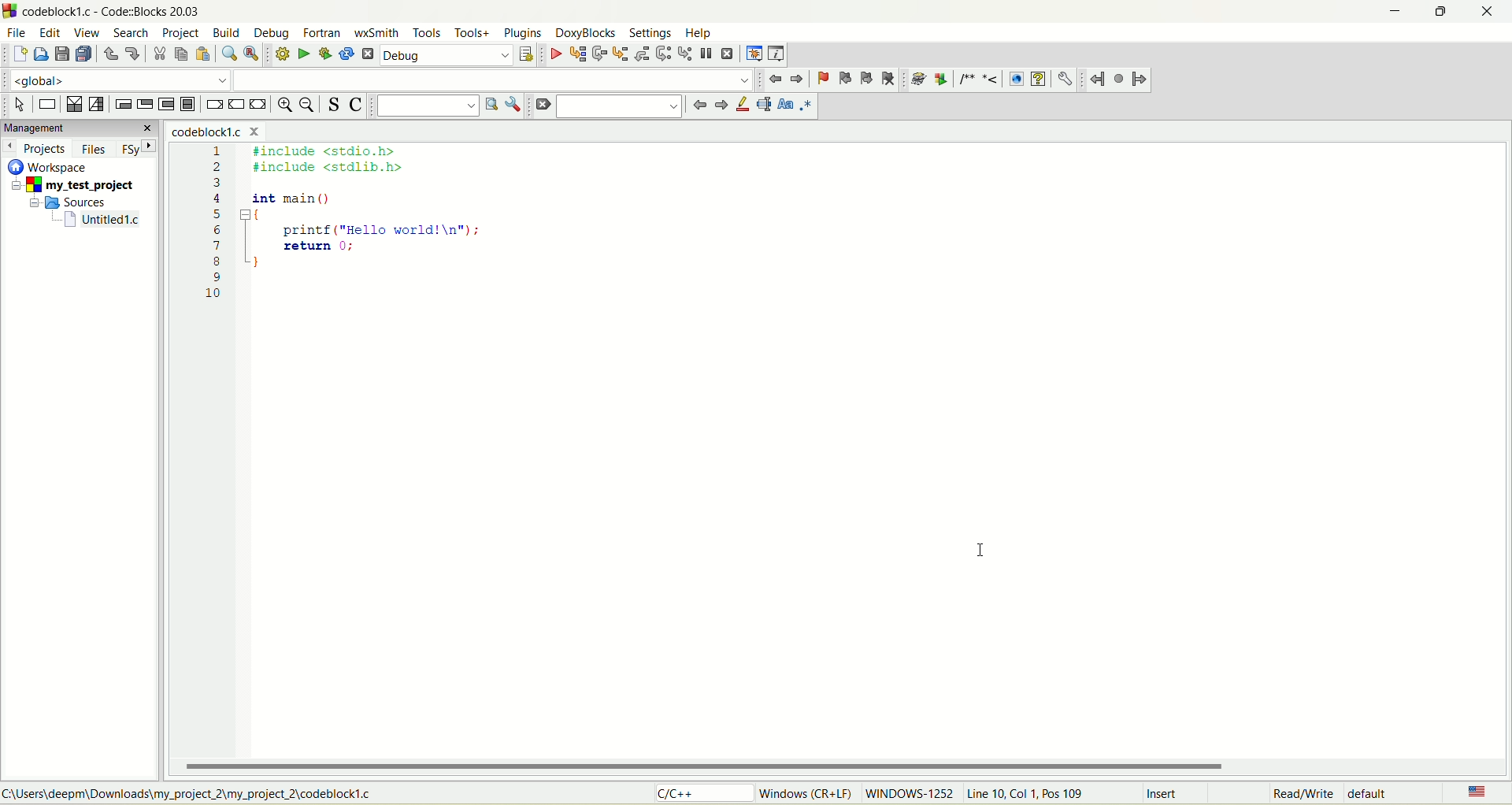 Image resolution: width=1512 pixels, height=805 pixels. What do you see at coordinates (228, 54) in the screenshot?
I see `find` at bounding box center [228, 54].